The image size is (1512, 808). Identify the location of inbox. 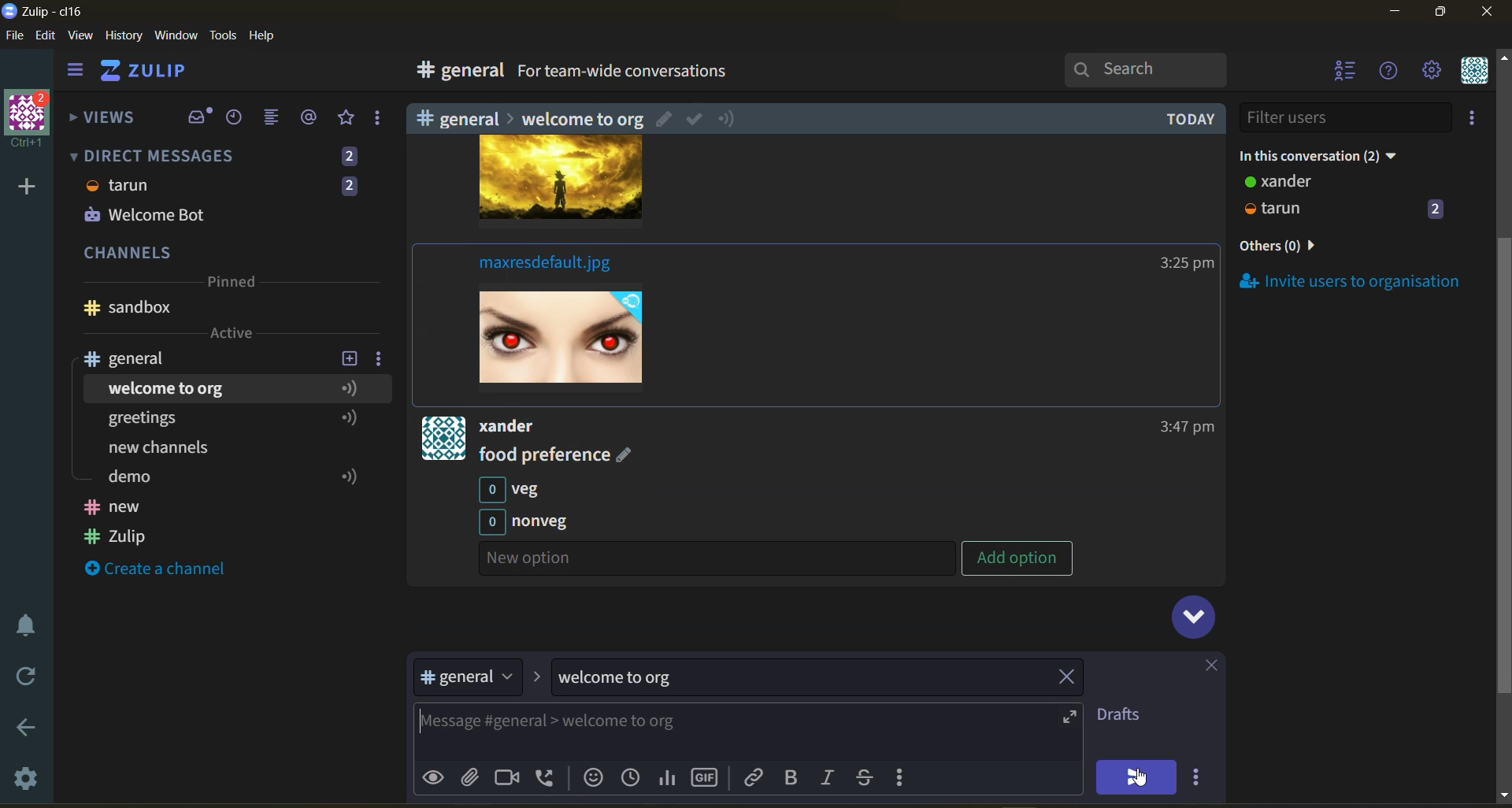
(199, 117).